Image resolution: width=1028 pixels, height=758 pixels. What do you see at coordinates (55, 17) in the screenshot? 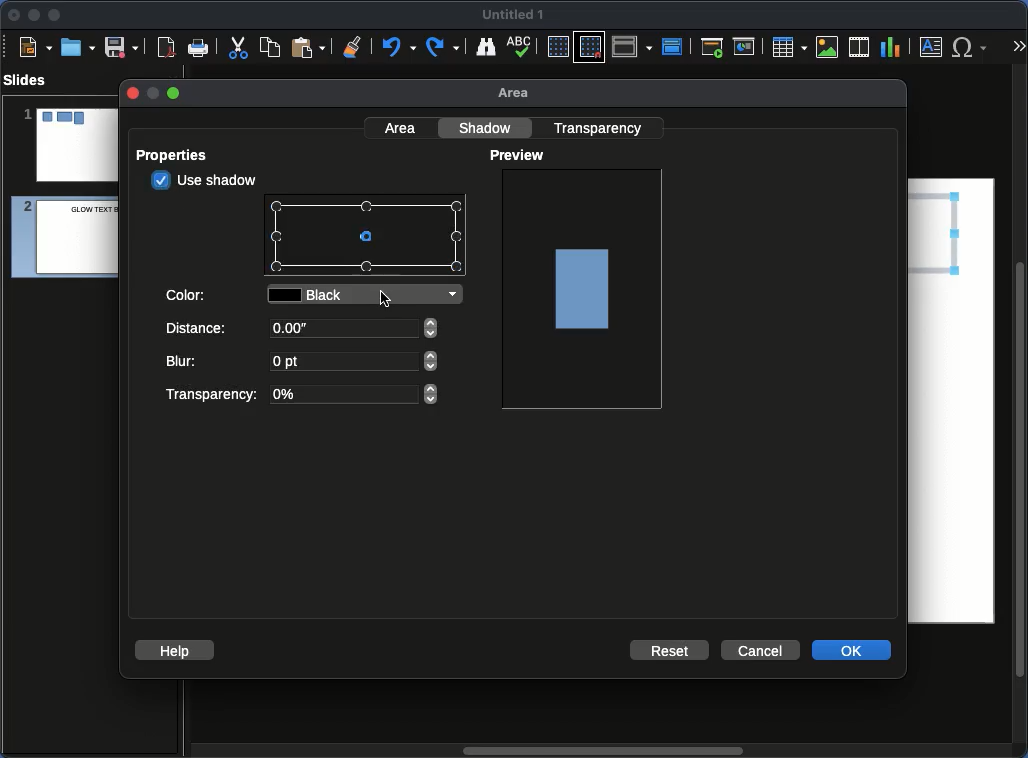
I see `Maximize` at bounding box center [55, 17].